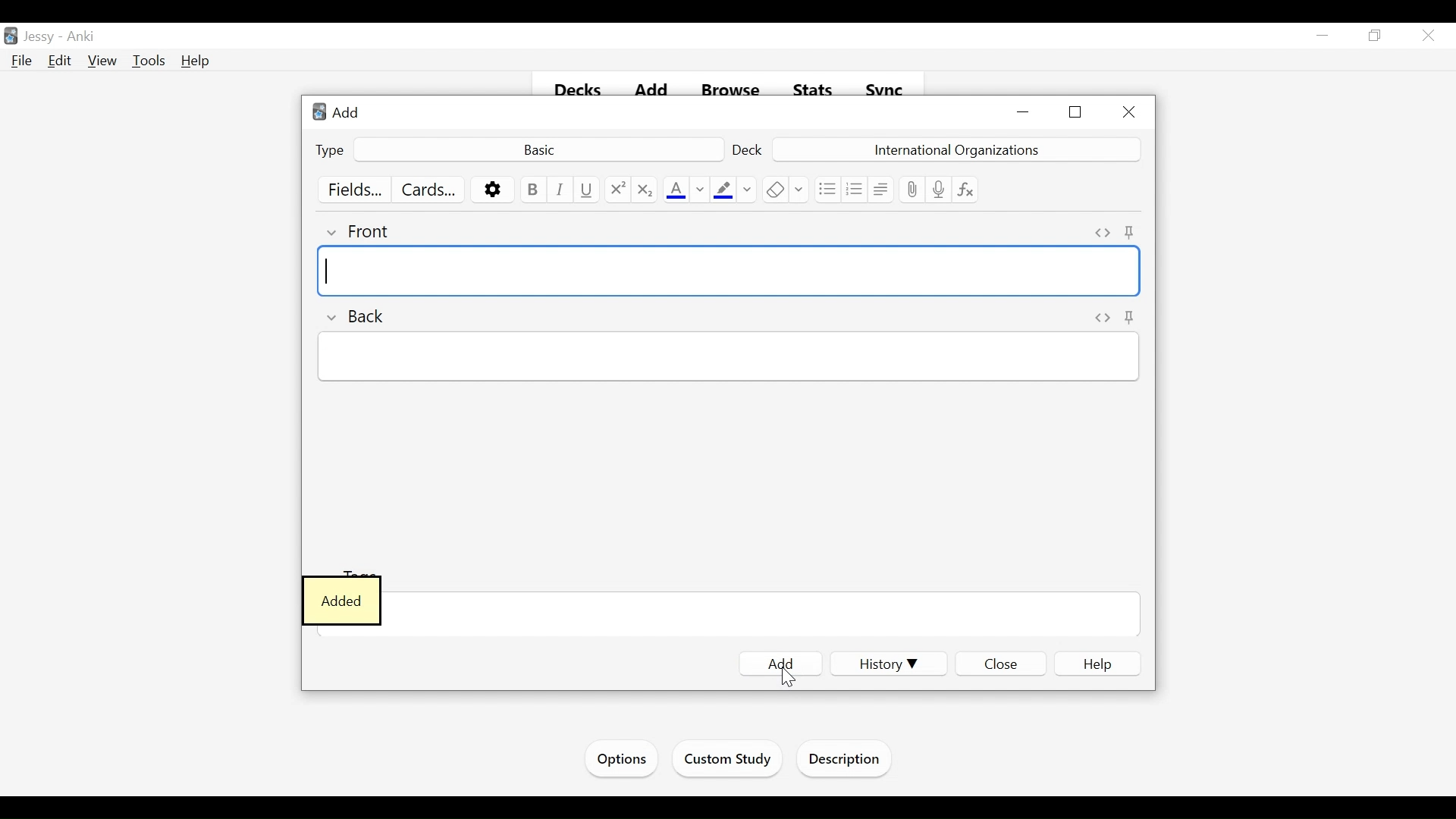  Describe the element at coordinates (83, 36) in the screenshot. I see `Anki` at that location.